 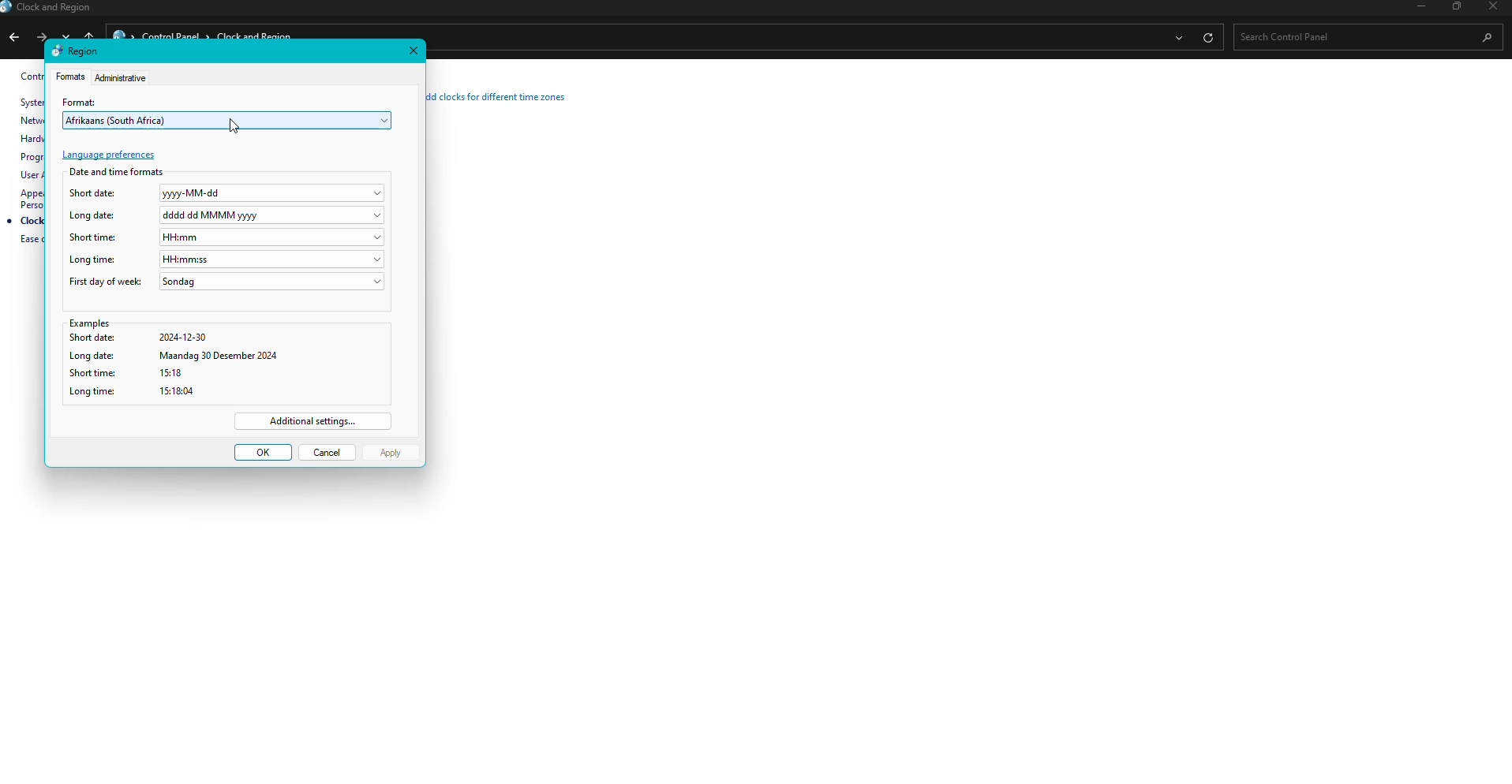 What do you see at coordinates (233, 125) in the screenshot?
I see `cursor` at bounding box center [233, 125].